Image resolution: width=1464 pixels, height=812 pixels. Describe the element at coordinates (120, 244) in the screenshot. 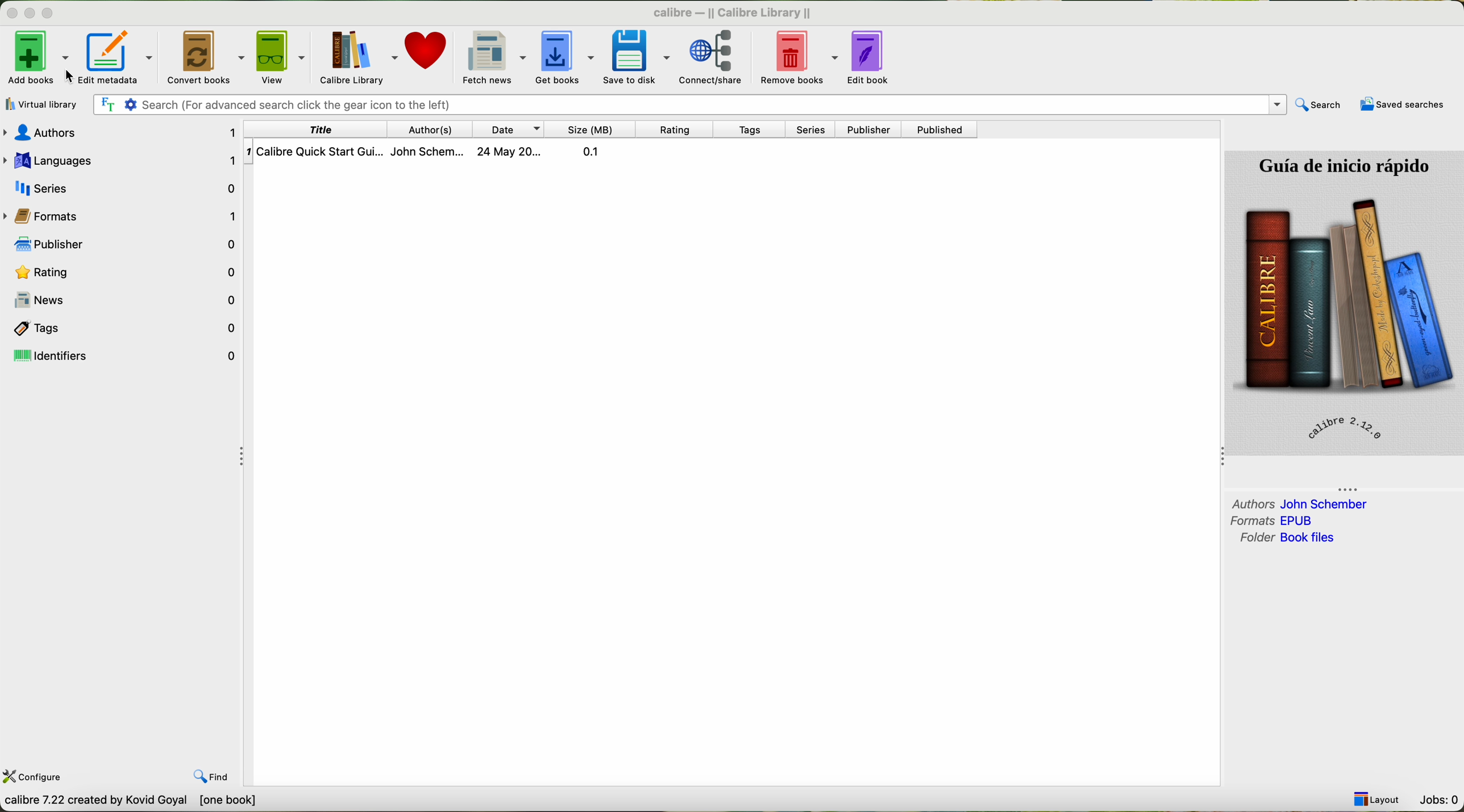

I see `publisher` at that location.